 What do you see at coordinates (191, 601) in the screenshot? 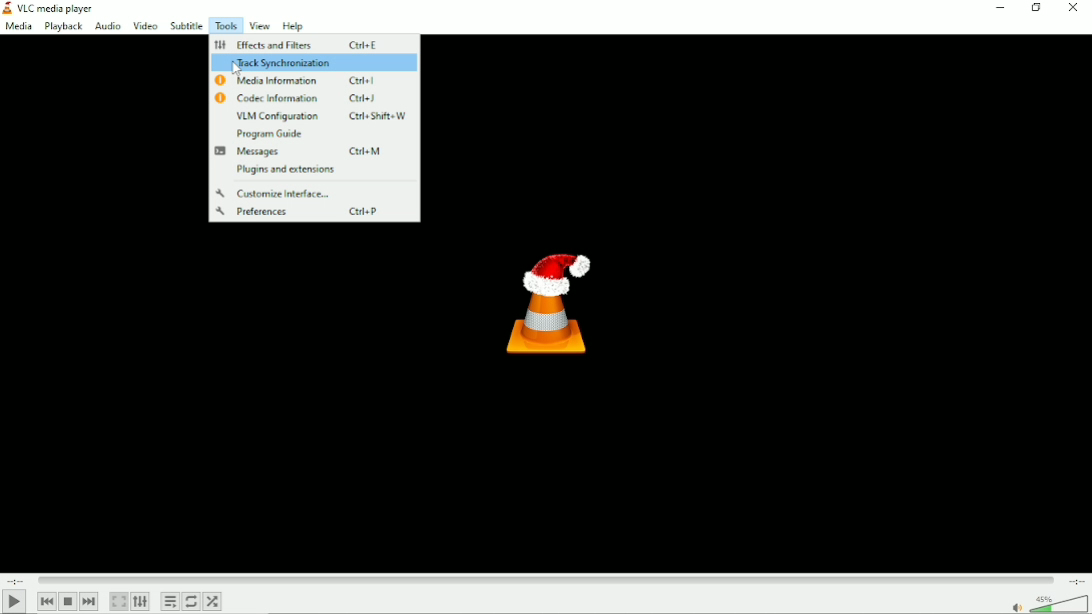
I see `Toggle between loop all, loop one and no loop` at bounding box center [191, 601].